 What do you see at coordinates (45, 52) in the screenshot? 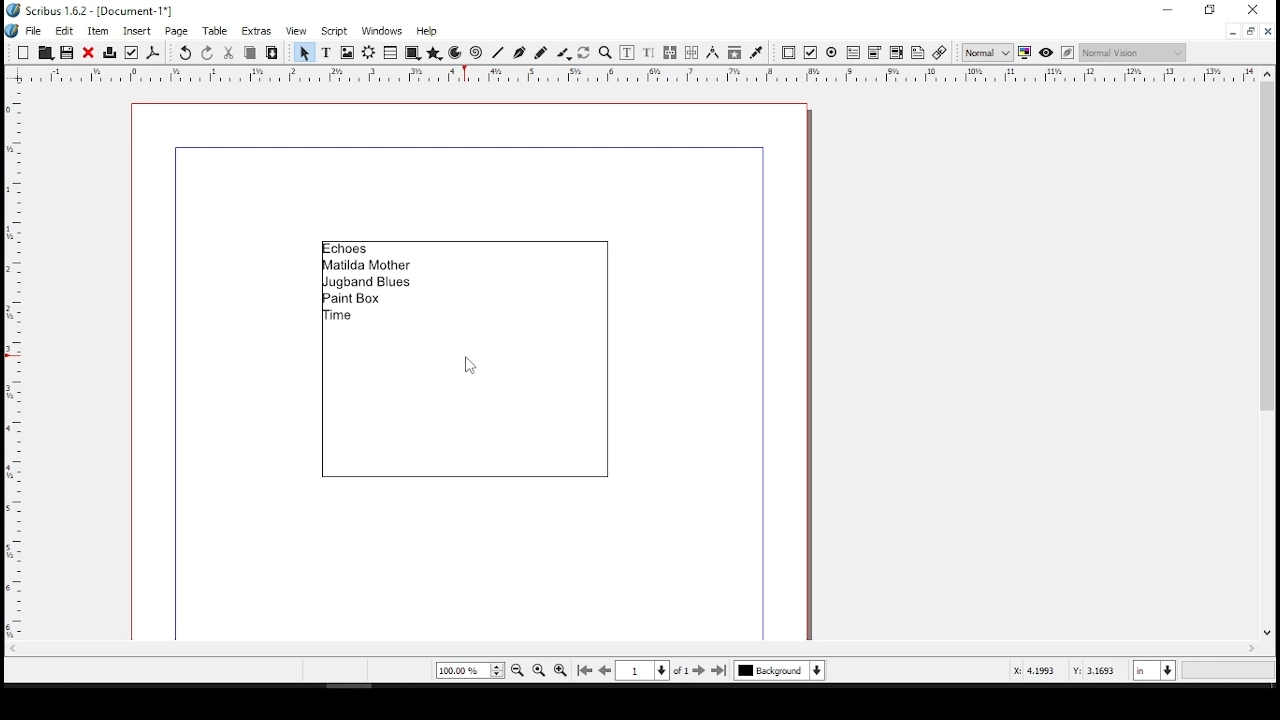
I see `` at bounding box center [45, 52].